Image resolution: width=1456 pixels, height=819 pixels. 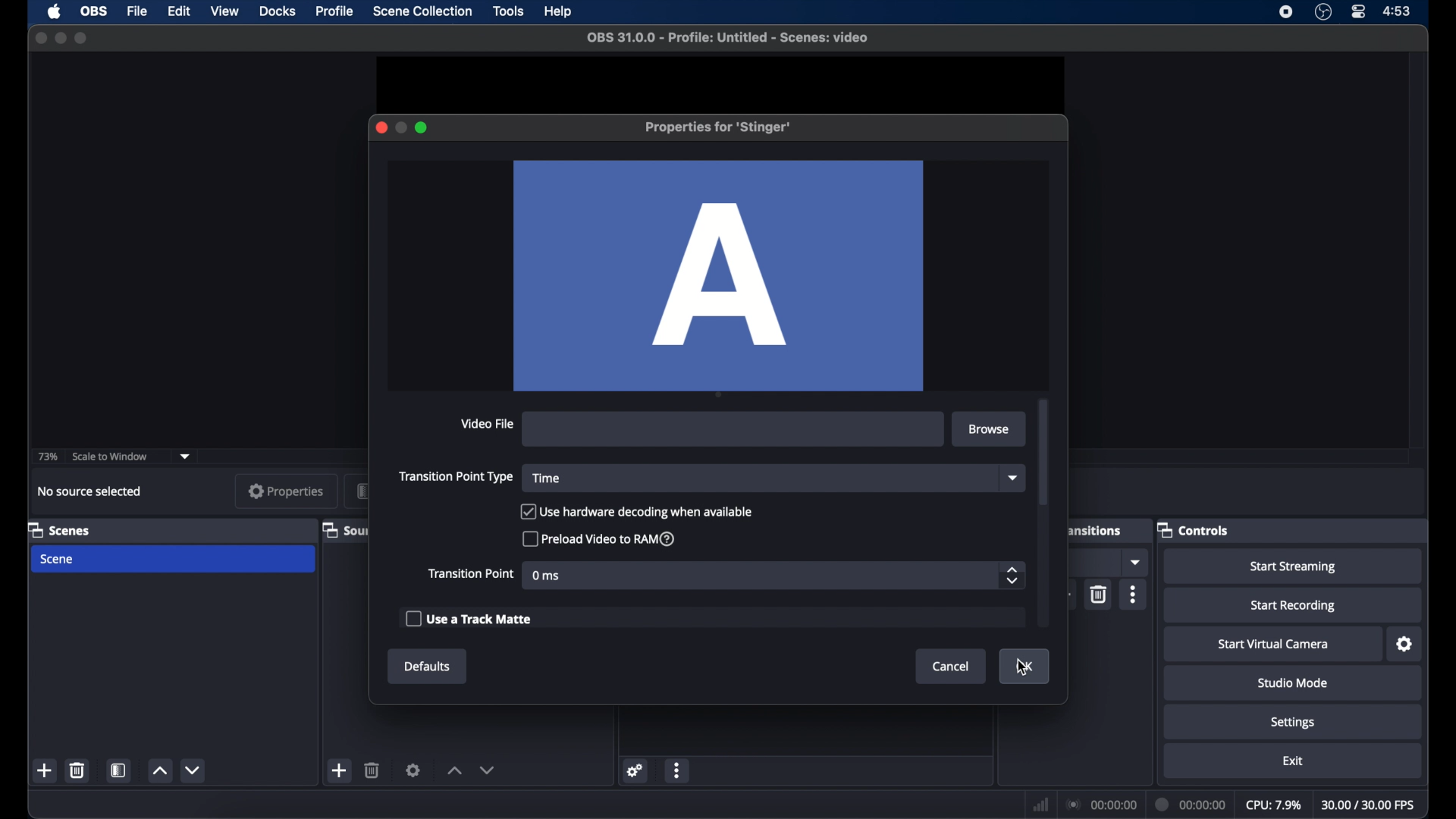 I want to click on checkbox, so click(x=638, y=511).